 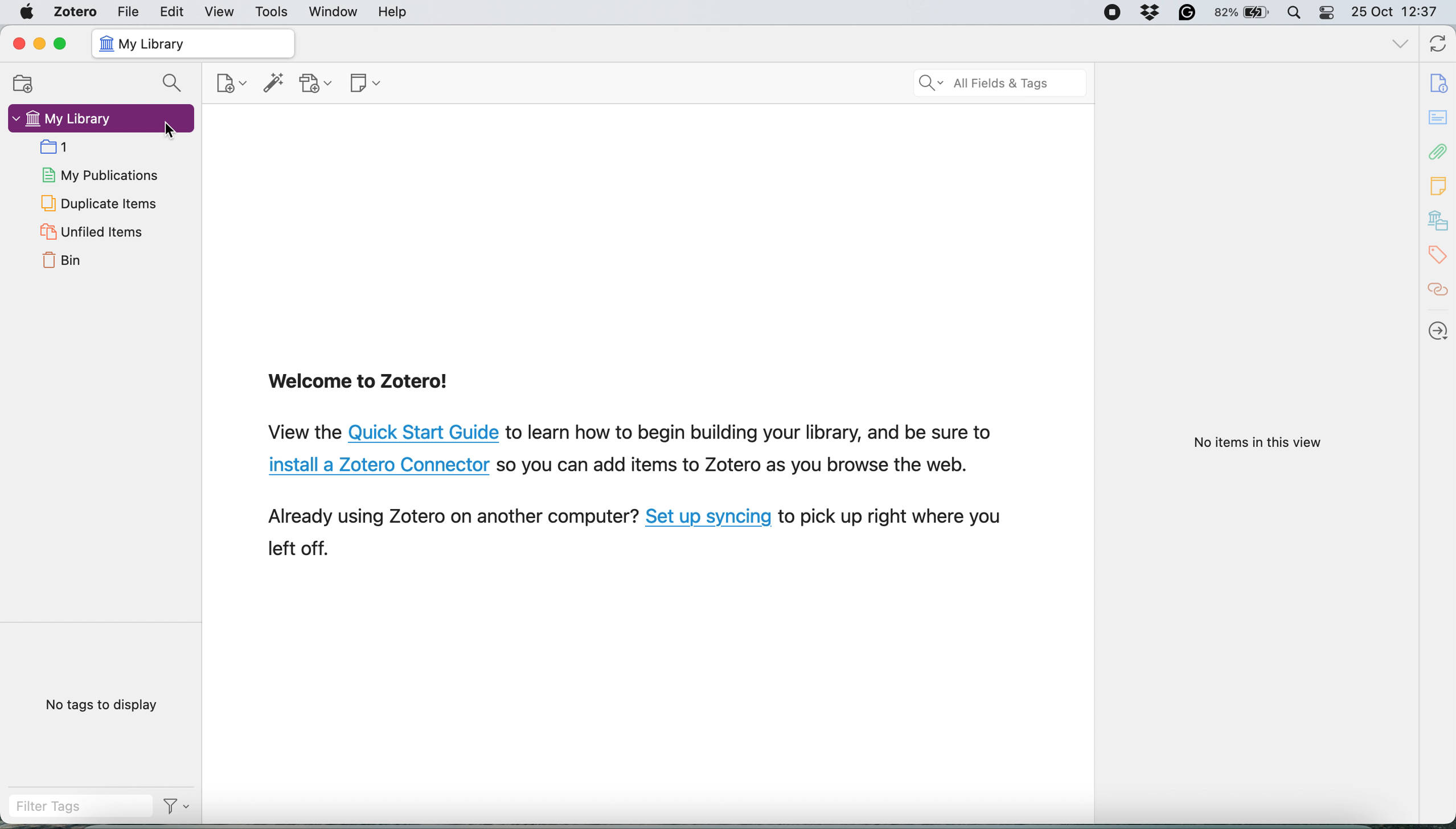 What do you see at coordinates (996, 84) in the screenshot?
I see `search all field ads tags` at bounding box center [996, 84].